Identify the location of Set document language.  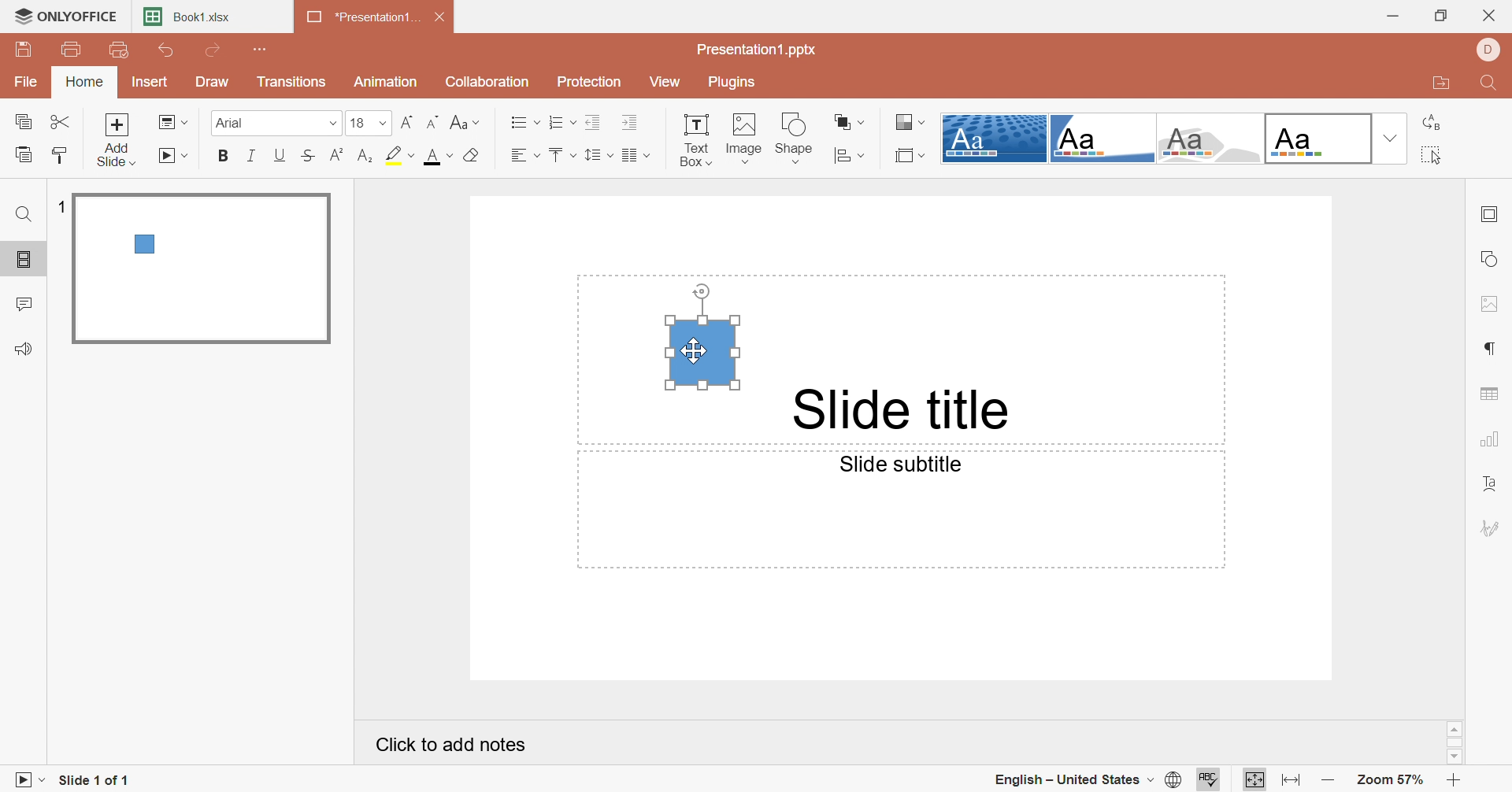
(1173, 779).